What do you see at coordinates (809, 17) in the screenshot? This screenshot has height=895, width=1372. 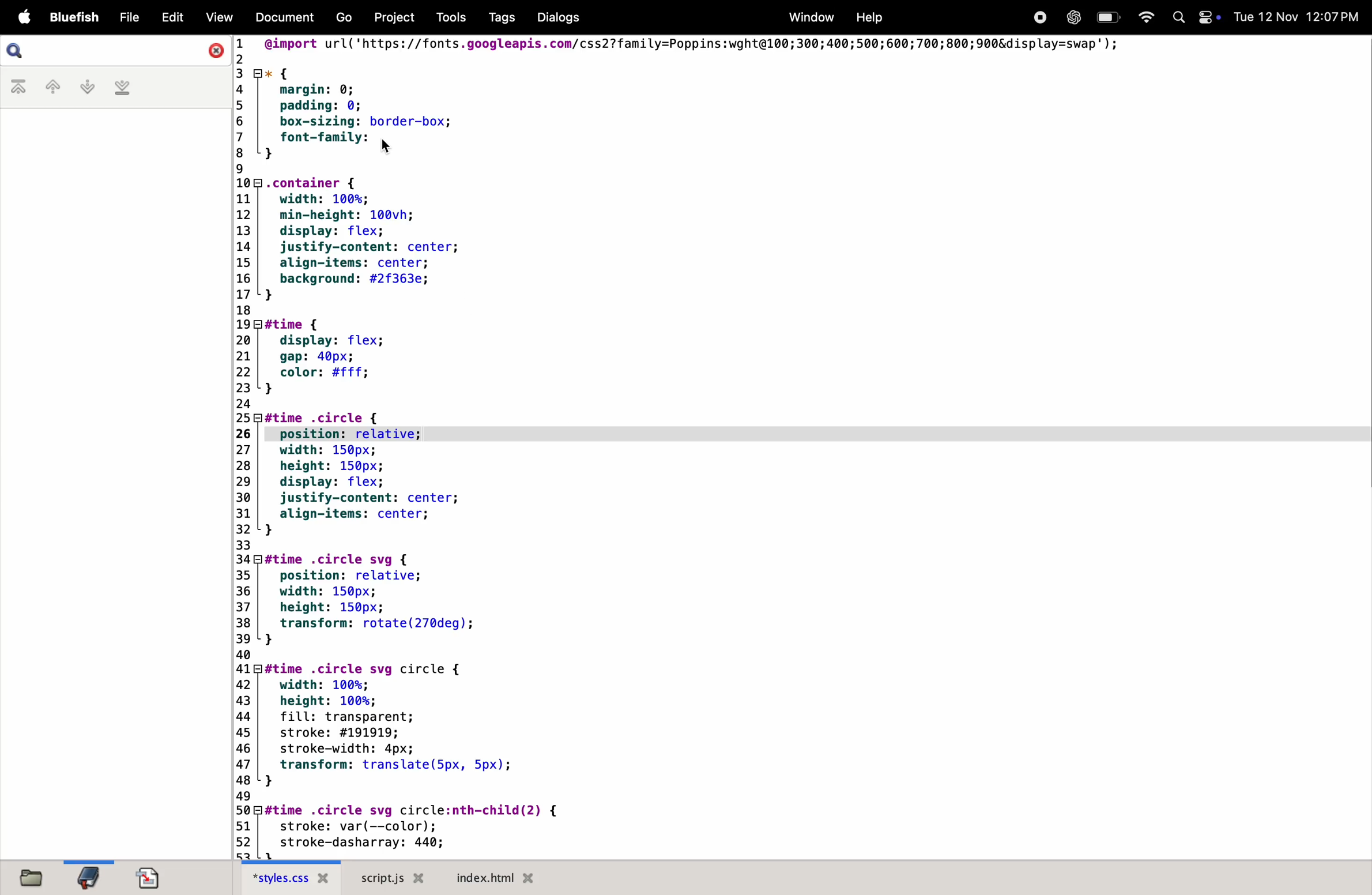 I see `window` at bounding box center [809, 17].